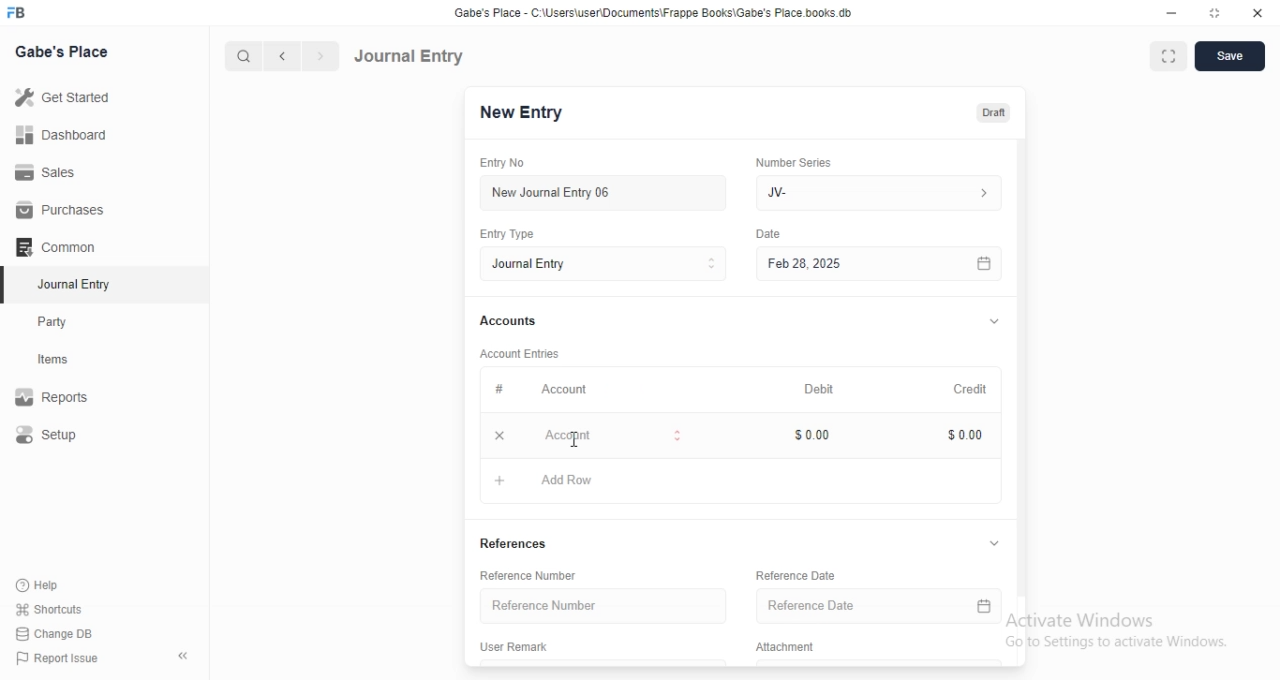 The image size is (1280, 680). Describe the element at coordinates (522, 648) in the screenshot. I see `User Remark` at that location.